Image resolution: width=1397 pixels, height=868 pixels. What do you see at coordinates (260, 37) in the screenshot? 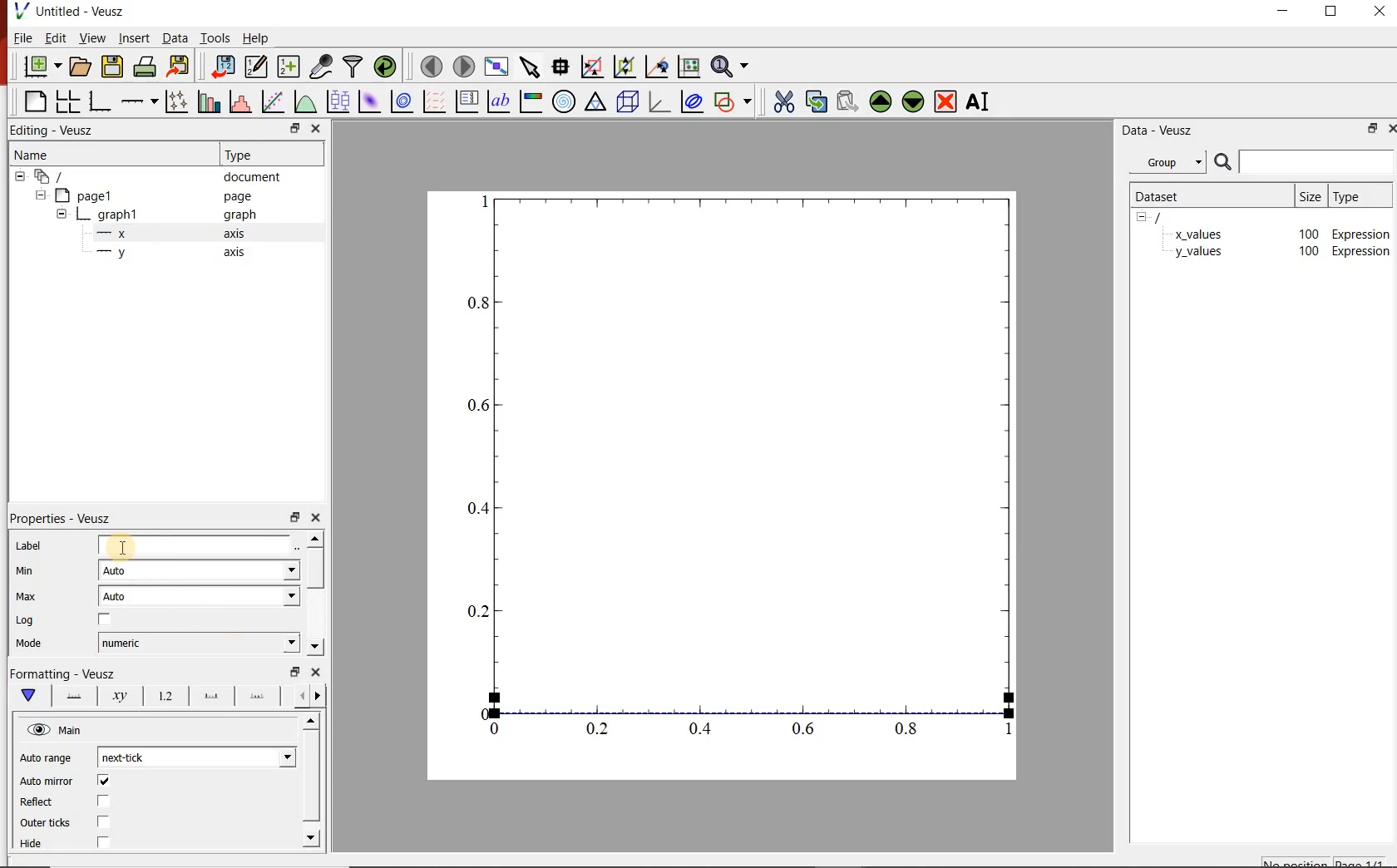
I see `help` at bounding box center [260, 37].